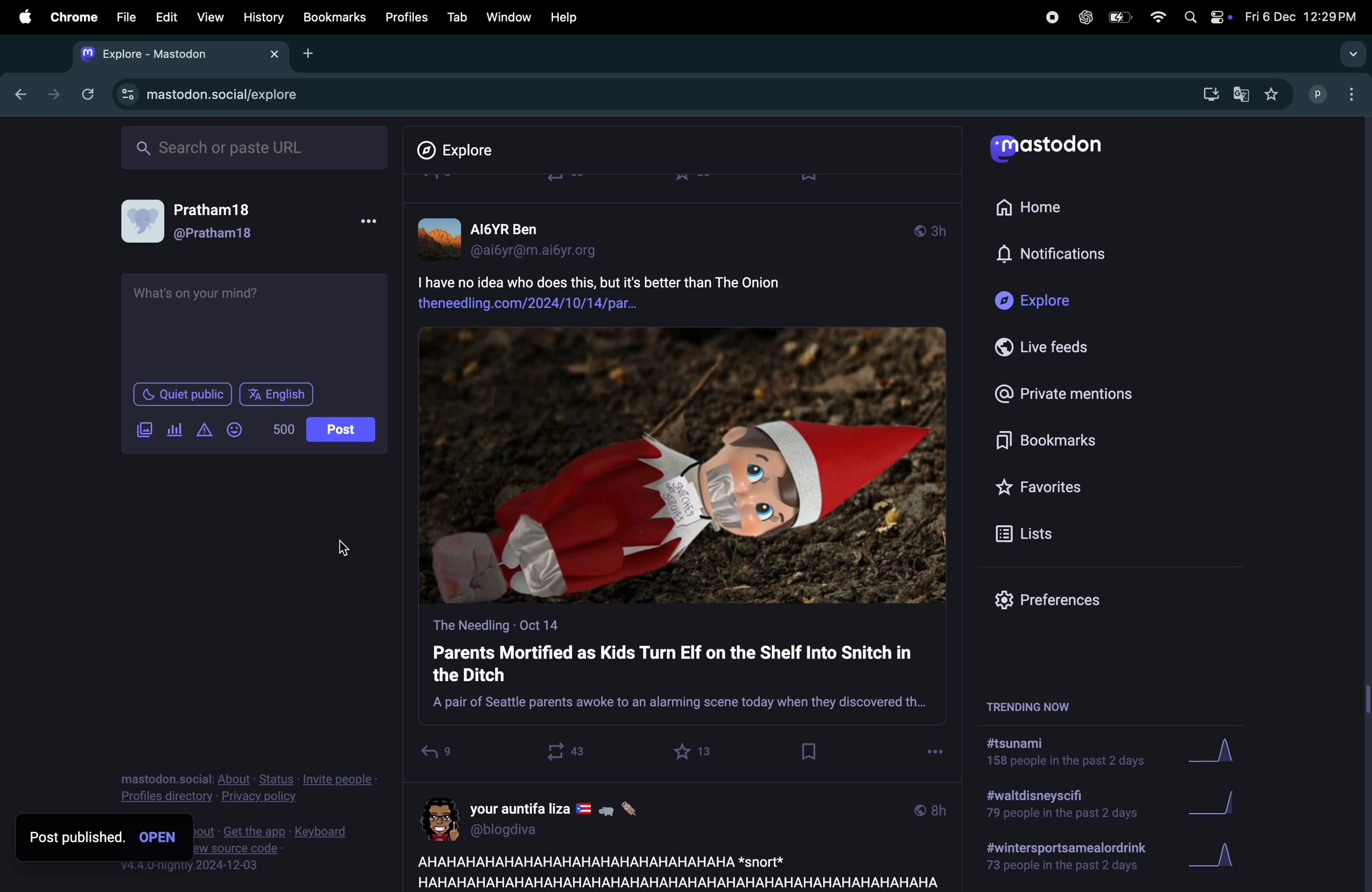 Image resolution: width=1372 pixels, height=892 pixels. Describe the element at coordinates (1207, 94) in the screenshot. I see `download masto don` at that location.